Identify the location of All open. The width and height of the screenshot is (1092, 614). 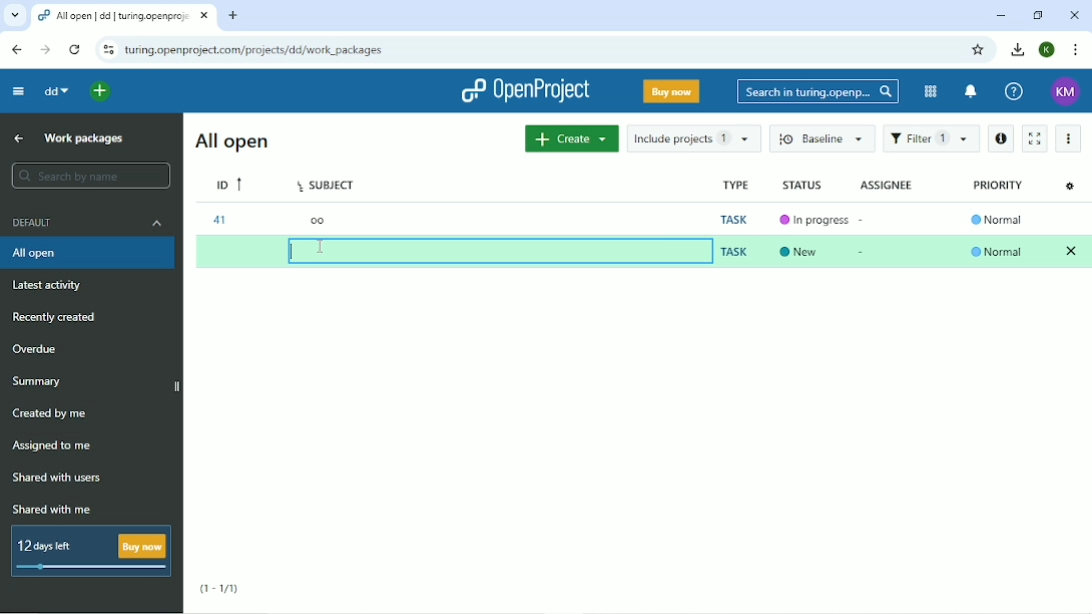
(89, 254).